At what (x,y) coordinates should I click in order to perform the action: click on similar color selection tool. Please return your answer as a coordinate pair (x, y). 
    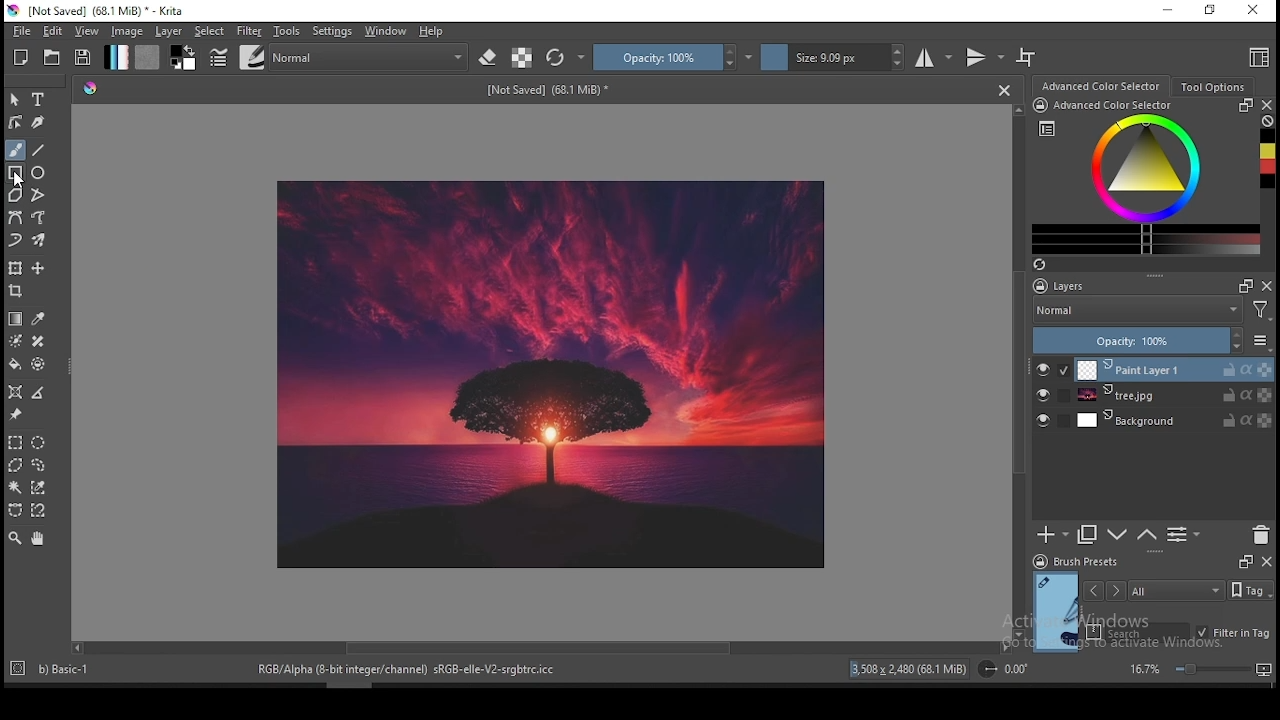
    Looking at the image, I should click on (39, 487).